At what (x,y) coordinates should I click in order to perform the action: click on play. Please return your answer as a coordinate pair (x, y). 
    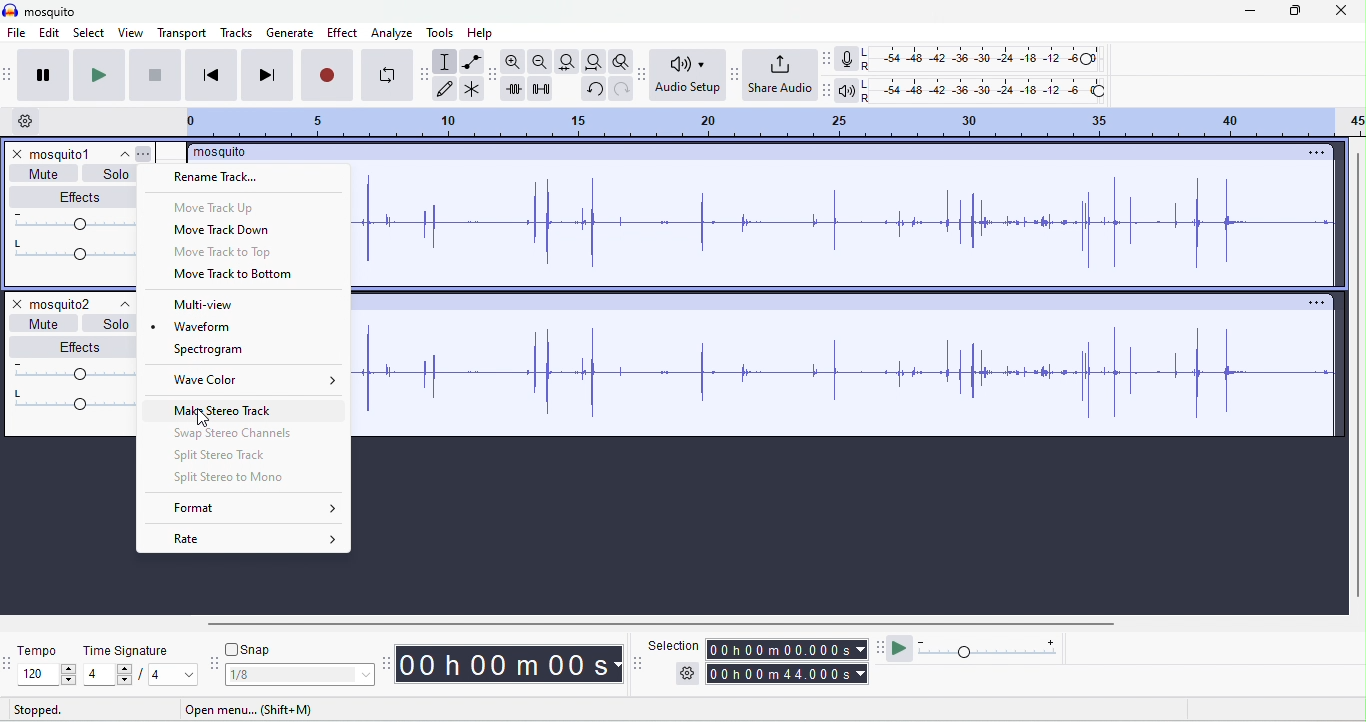
    Looking at the image, I should click on (97, 74).